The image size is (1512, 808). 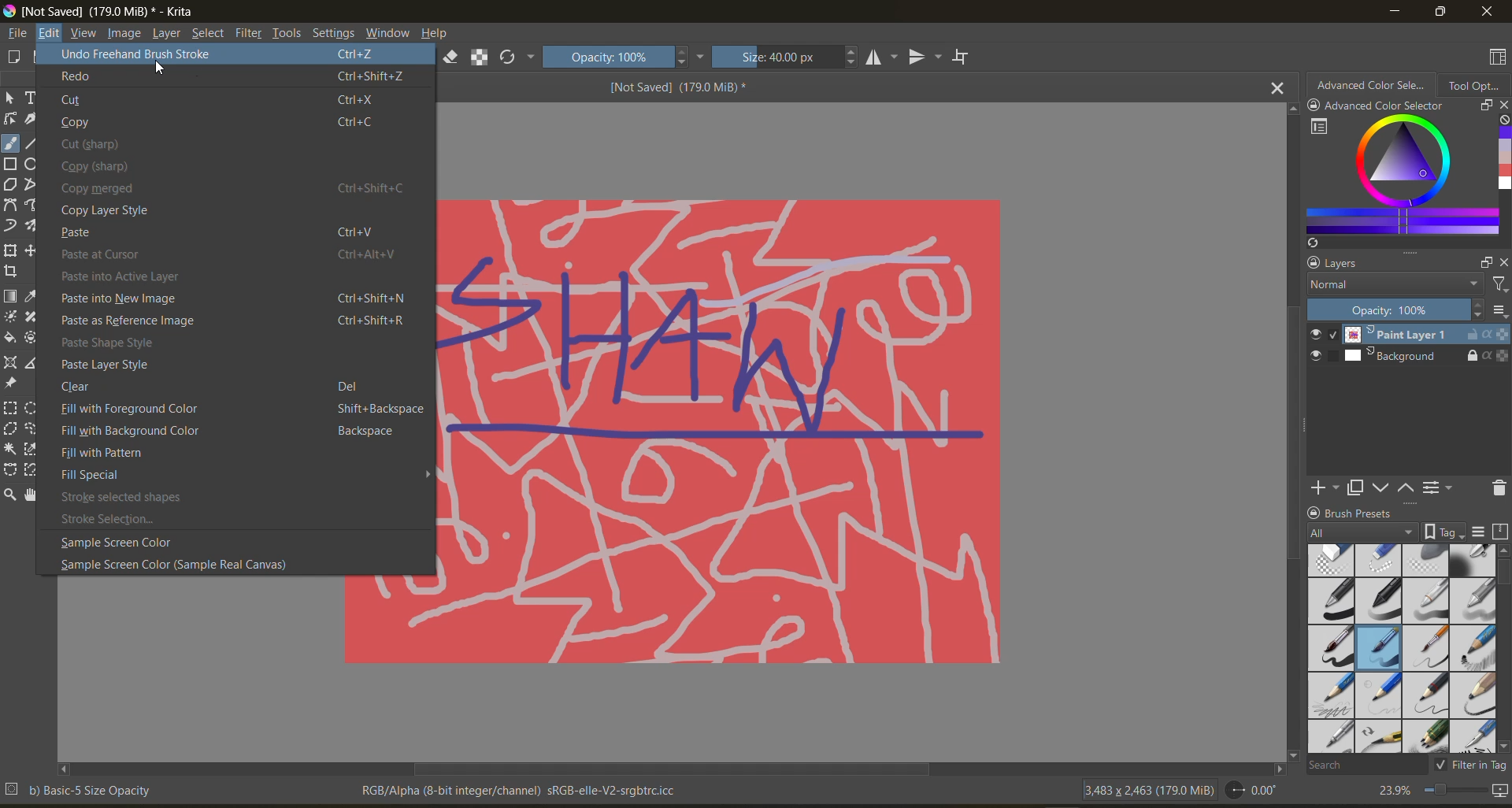 What do you see at coordinates (1396, 310) in the screenshot?
I see `Opacity: 100%` at bounding box center [1396, 310].